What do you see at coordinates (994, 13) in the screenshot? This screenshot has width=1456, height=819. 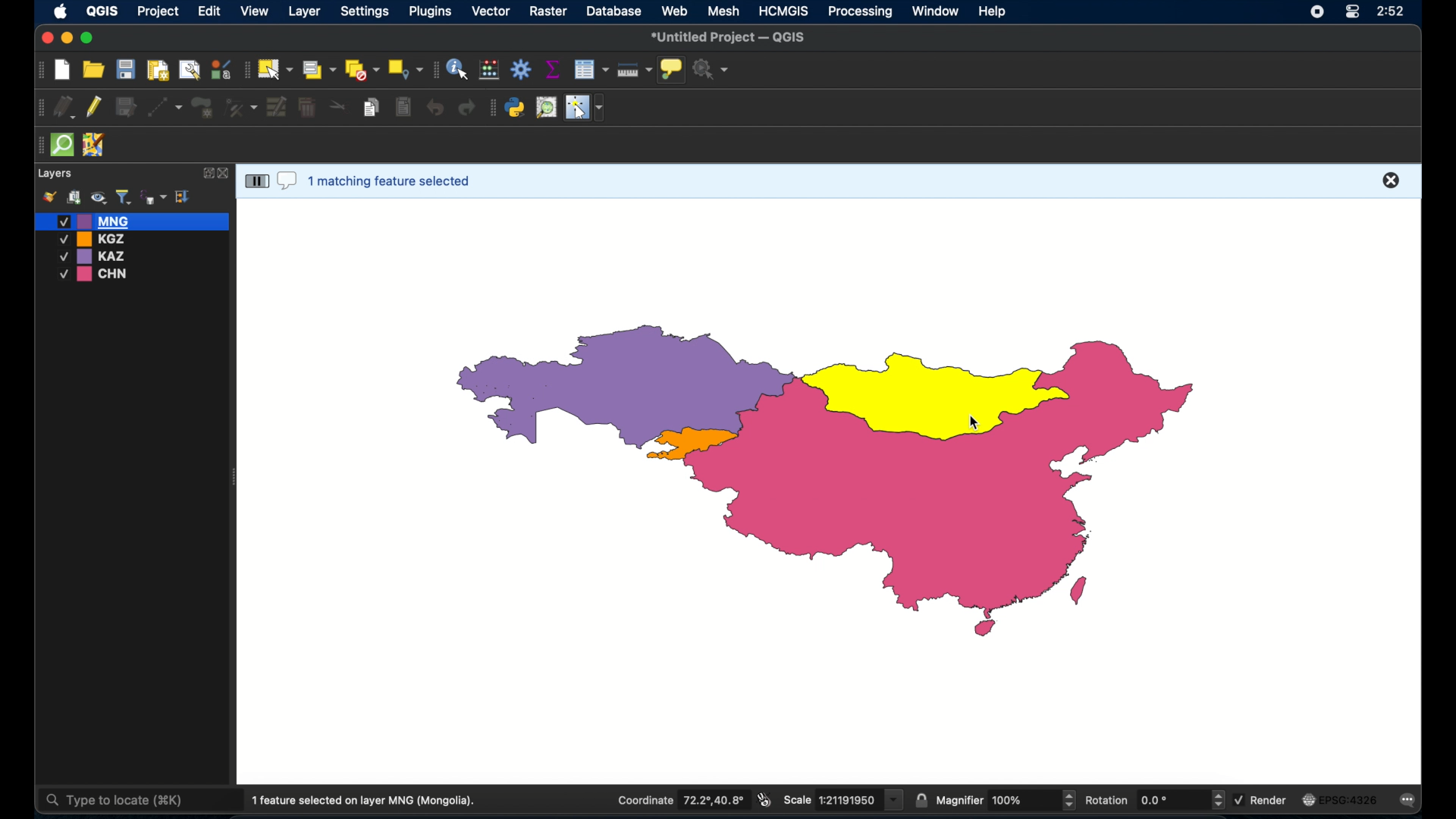 I see `help` at bounding box center [994, 13].